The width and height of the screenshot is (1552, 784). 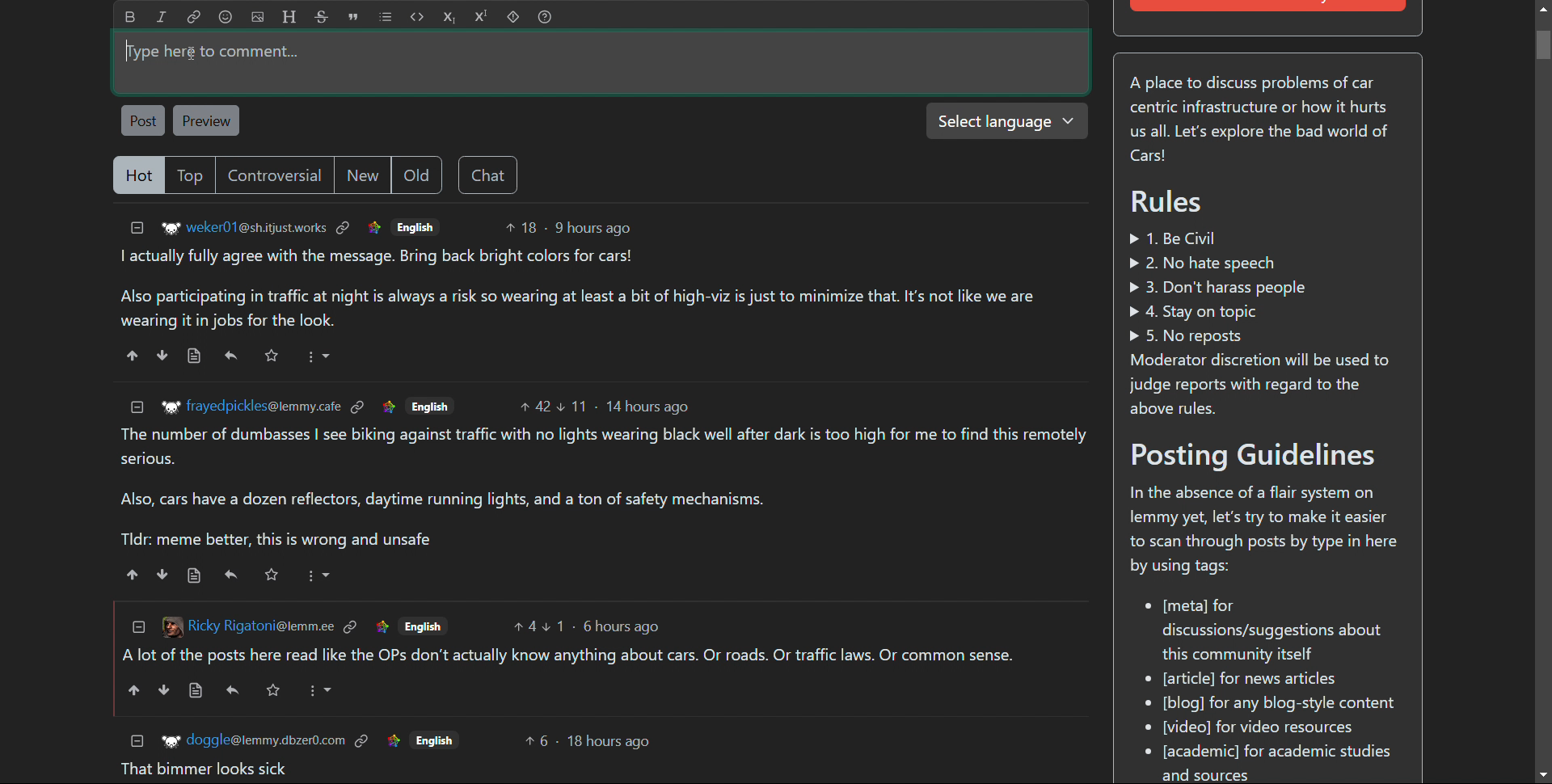 What do you see at coordinates (244, 230) in the screenshot?
I see `'®" weker01@sh.itjustworks` at bounding box center [244, 230].